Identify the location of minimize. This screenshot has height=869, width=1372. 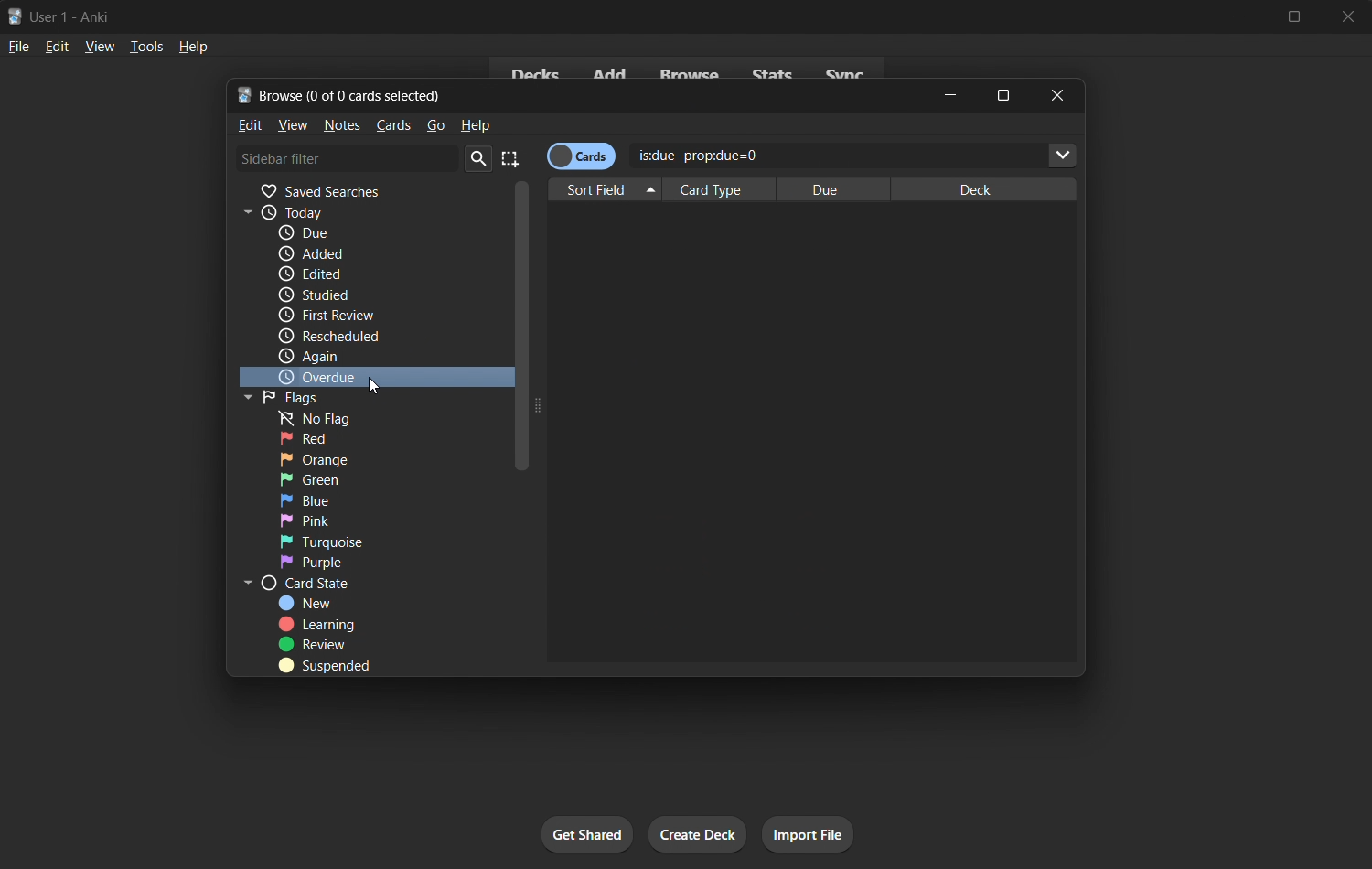
(953, 94).